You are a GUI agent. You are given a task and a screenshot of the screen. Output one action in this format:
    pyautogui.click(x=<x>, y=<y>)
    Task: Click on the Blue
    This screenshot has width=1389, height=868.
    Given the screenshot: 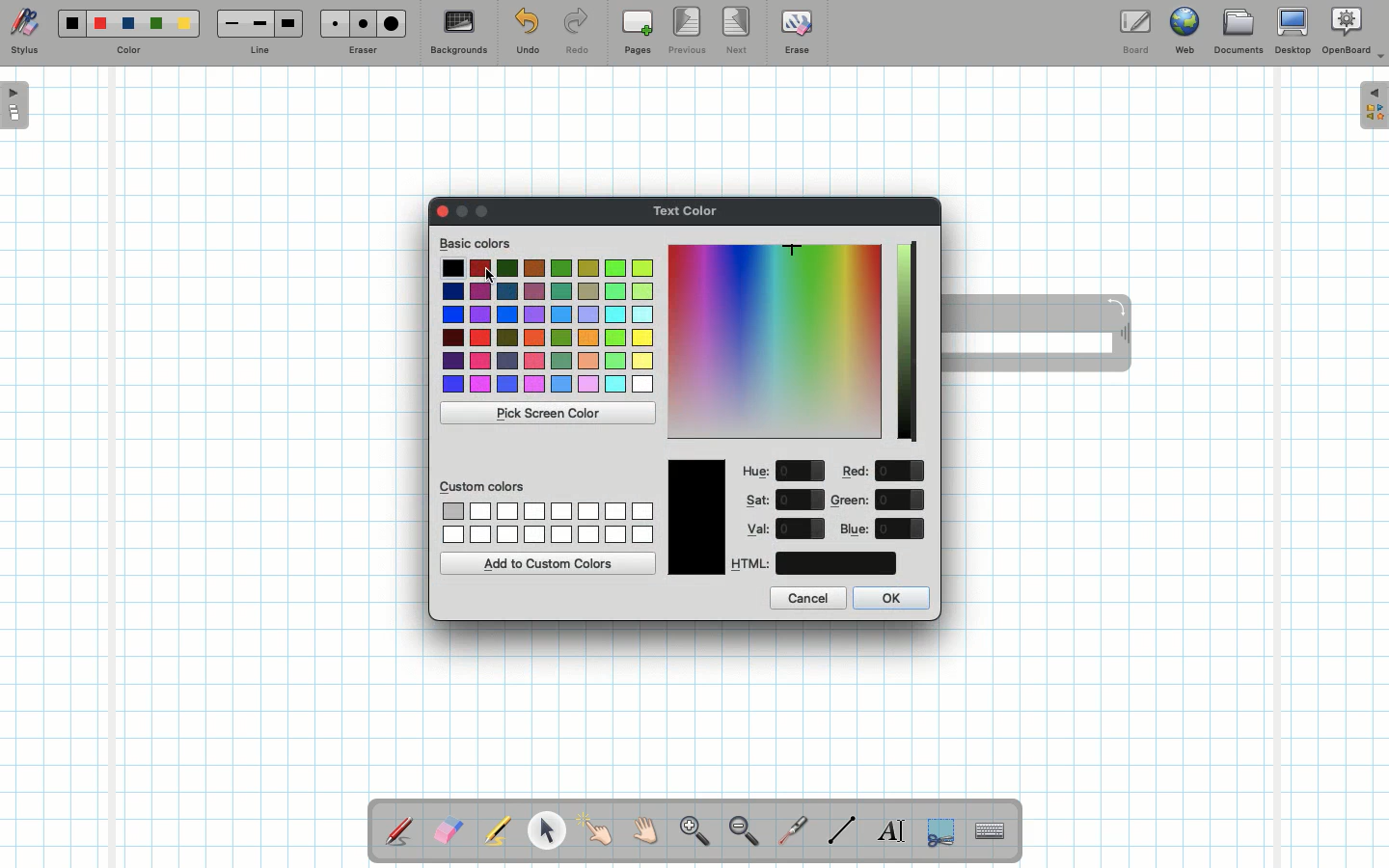 What is the action you would take?
    pyautogui.click(x=129, y=24)
    